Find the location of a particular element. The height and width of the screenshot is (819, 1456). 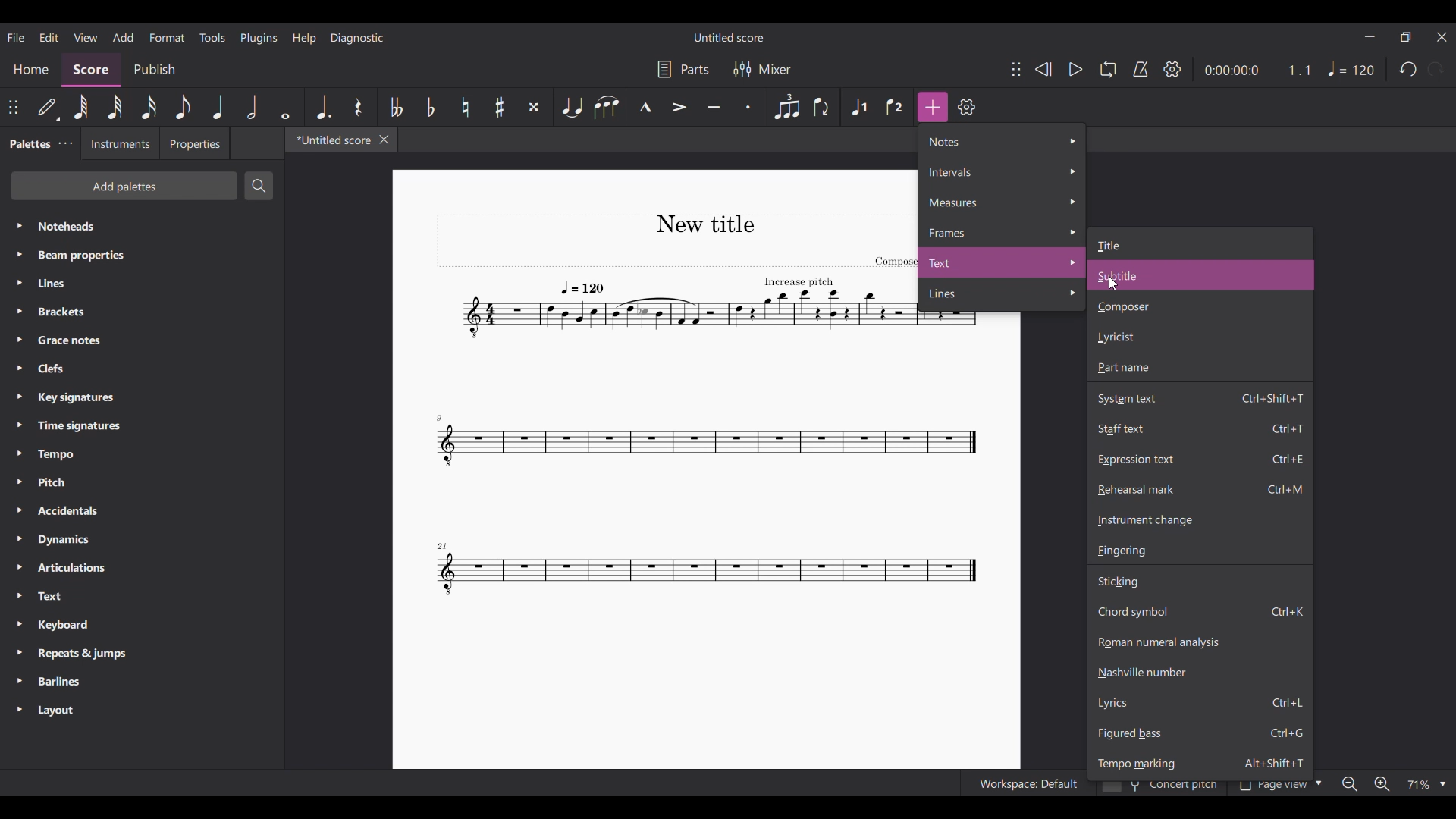

Cursor is located at coordinates (1113, 284).